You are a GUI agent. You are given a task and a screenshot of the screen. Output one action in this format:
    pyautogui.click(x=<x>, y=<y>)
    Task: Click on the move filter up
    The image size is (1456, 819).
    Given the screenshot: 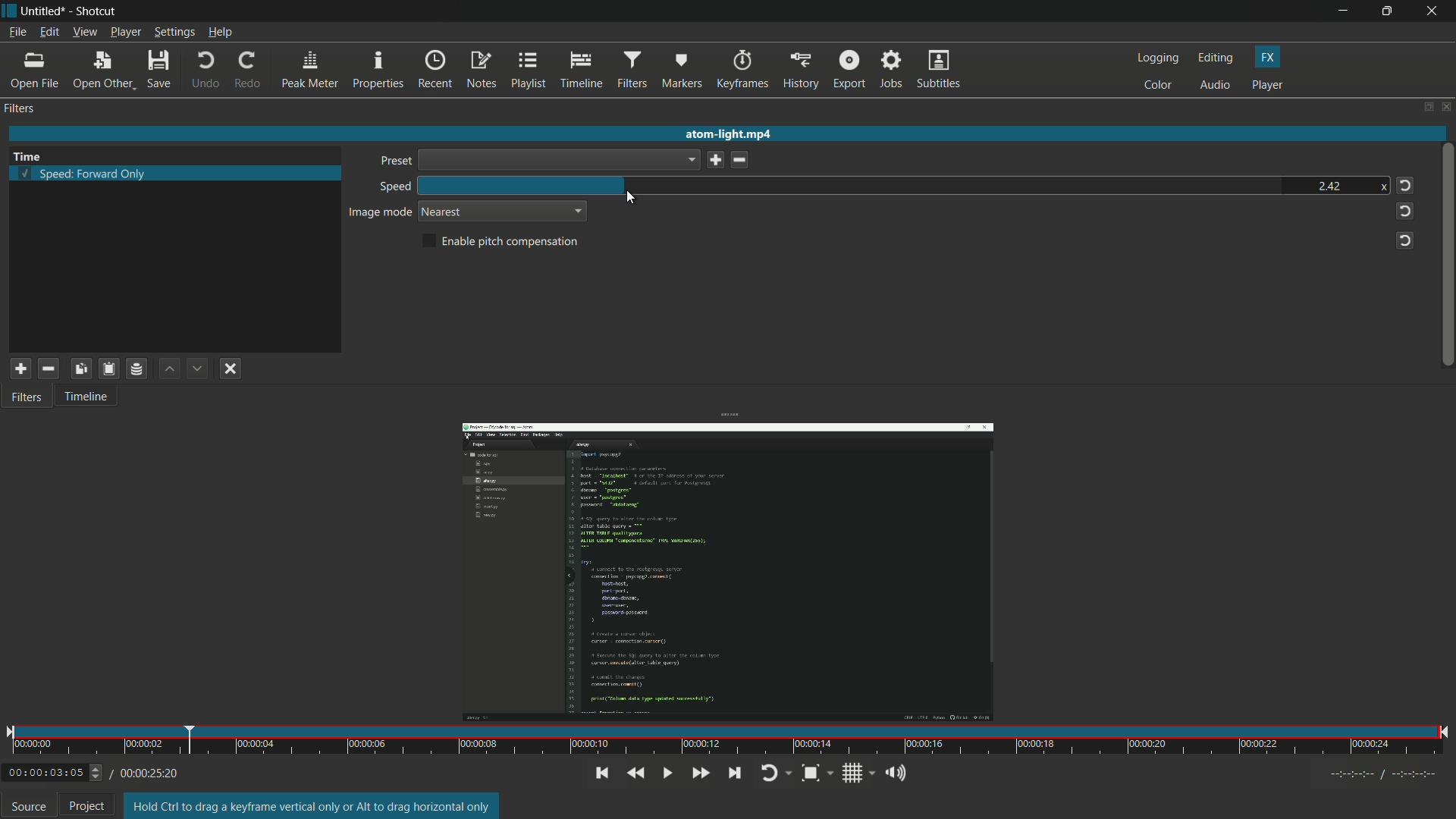 What is the action you would take?
    pyautogui.click(x=167, y=368)
    